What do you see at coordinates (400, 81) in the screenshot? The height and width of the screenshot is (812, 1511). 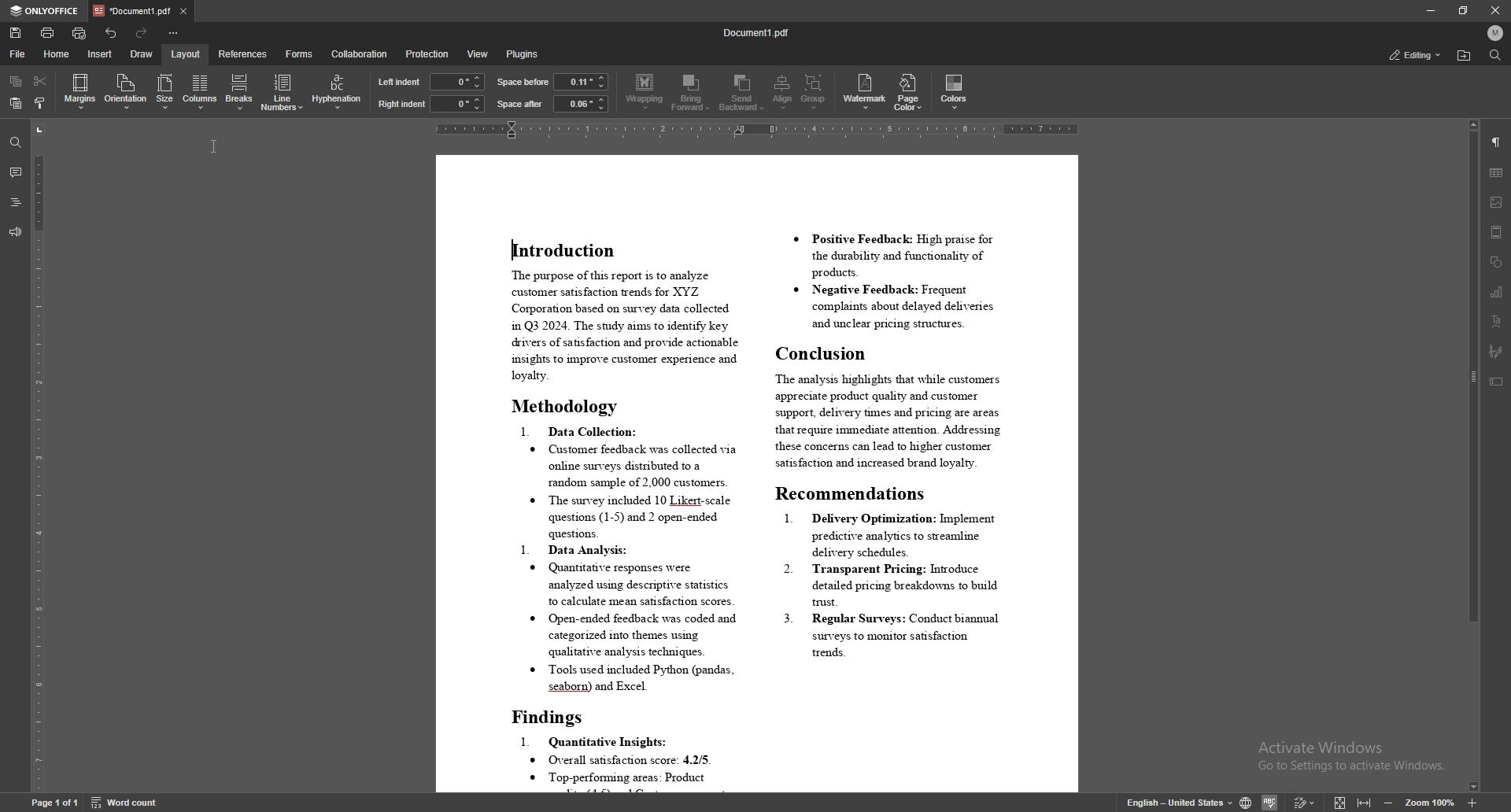 I see `left indent` at bounding box center [400, 81].